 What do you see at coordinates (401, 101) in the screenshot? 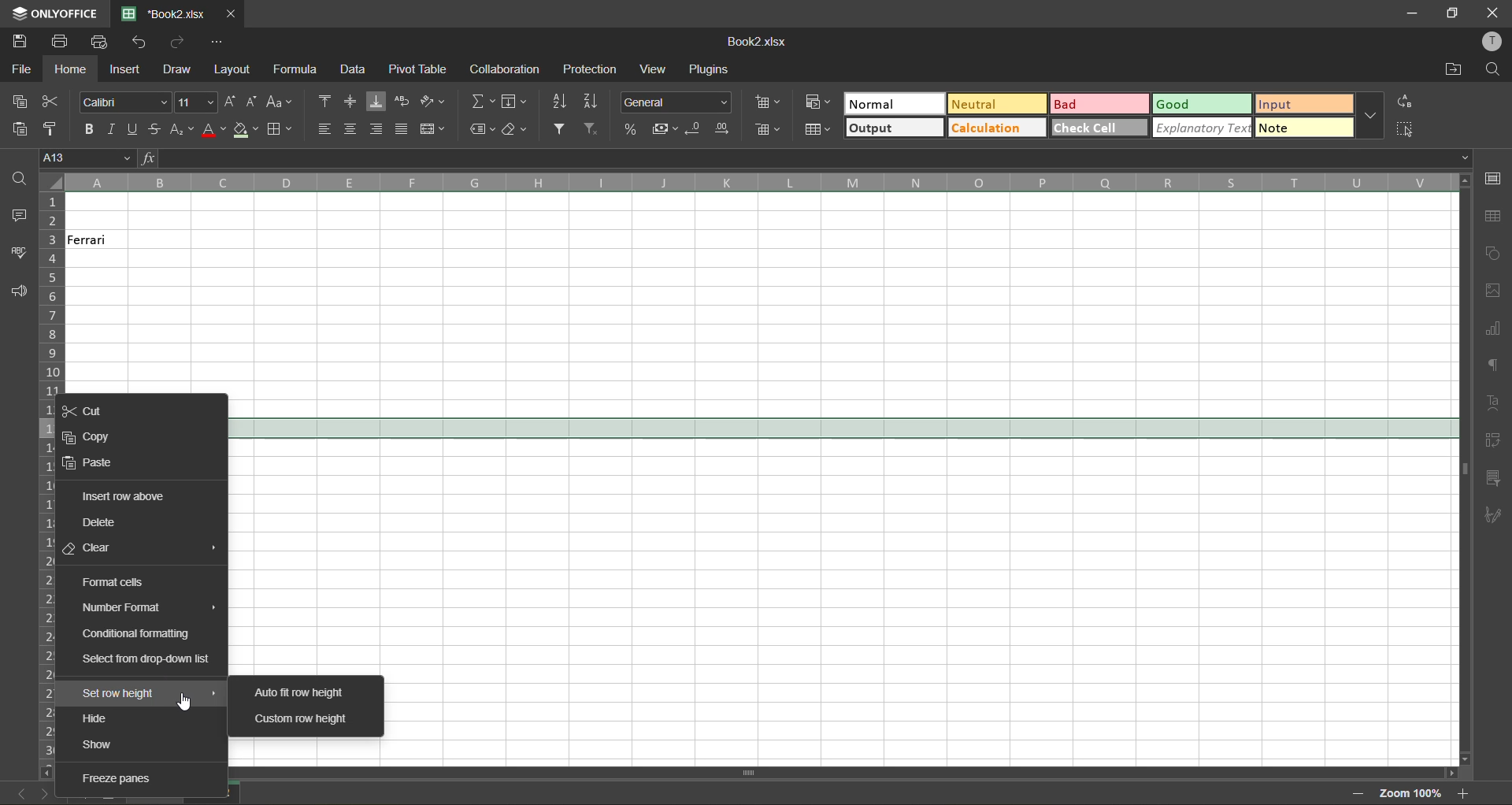
I see `wrap text` at bounding box center [401, 101].